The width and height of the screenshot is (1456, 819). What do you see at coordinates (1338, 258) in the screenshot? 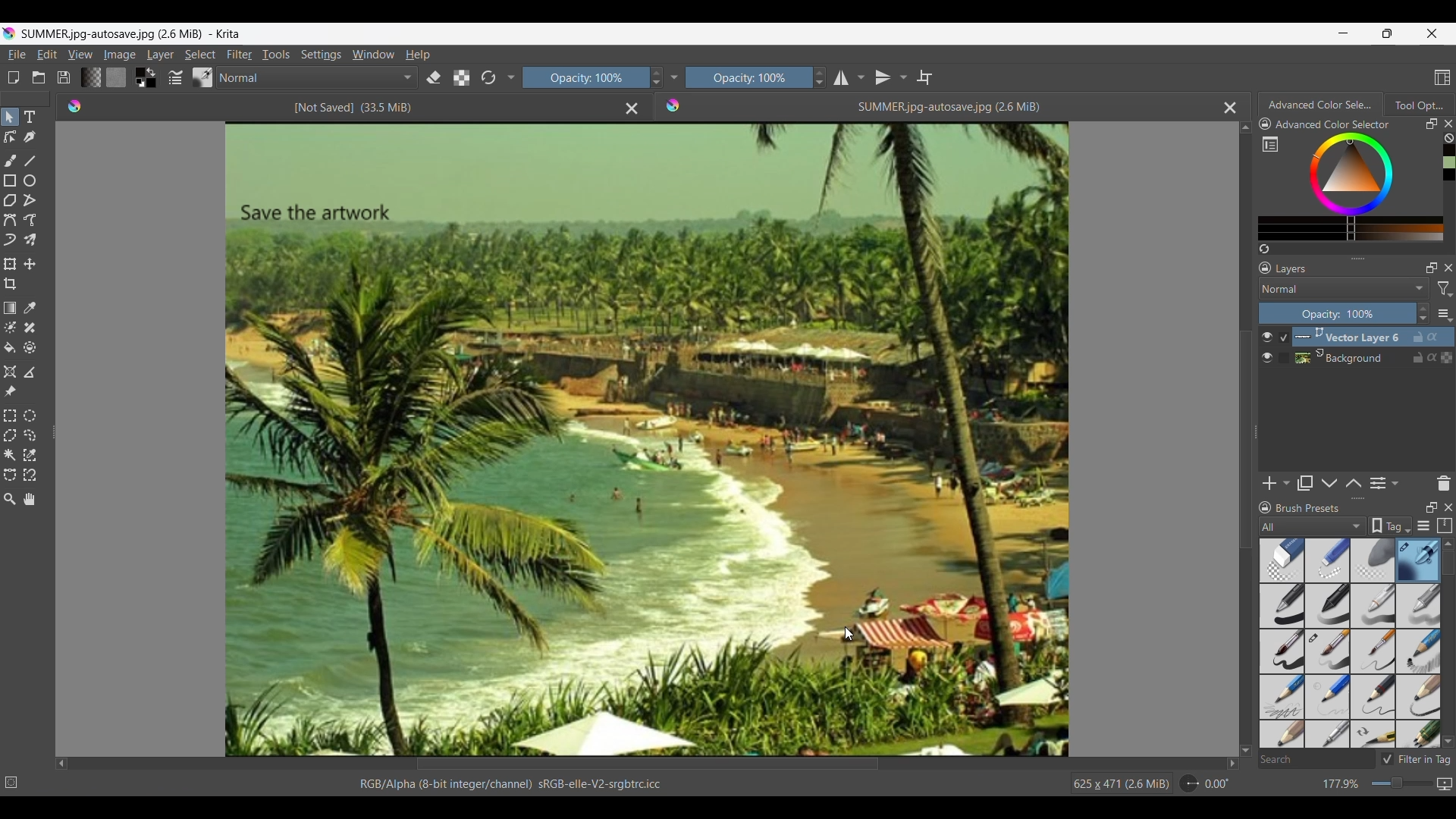
I see `Change height of panels attached to this line` at bounding box center [1338, 258].